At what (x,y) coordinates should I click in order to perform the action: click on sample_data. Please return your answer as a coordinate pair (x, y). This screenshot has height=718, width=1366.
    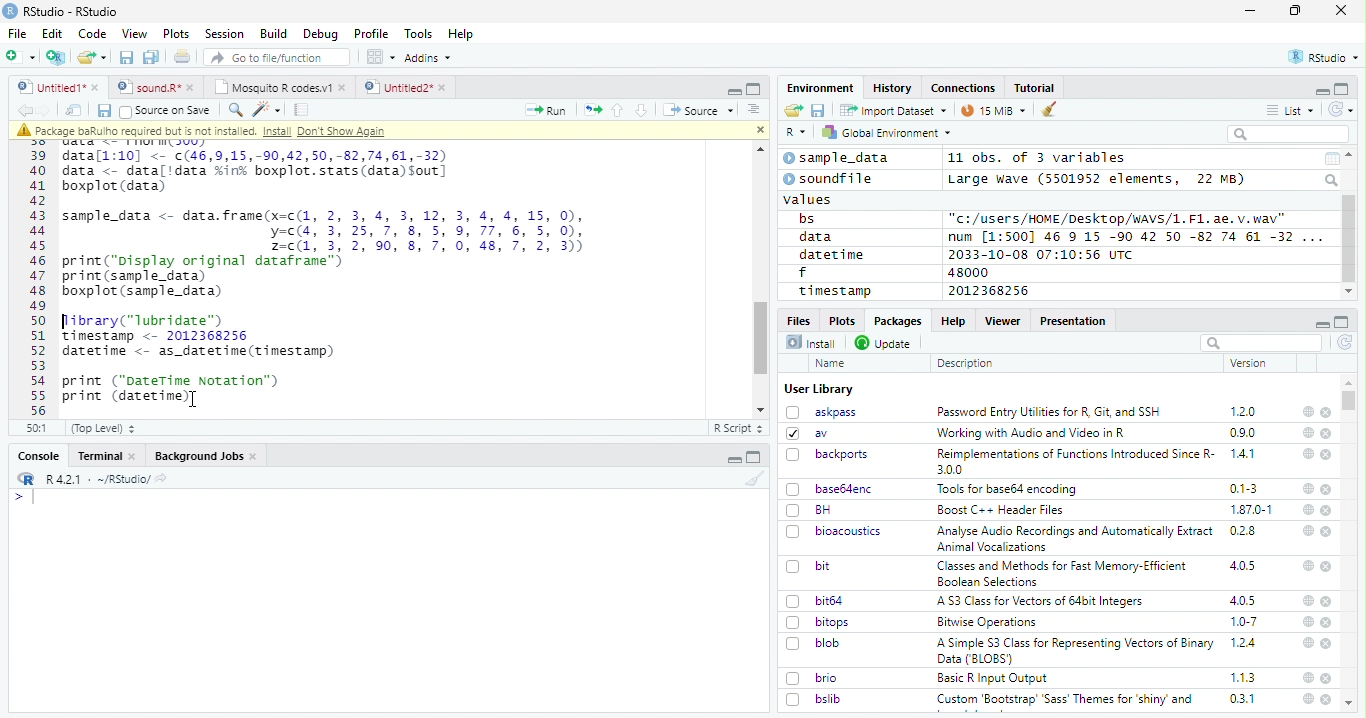
    Looking at the image, I should click on (839, 158).